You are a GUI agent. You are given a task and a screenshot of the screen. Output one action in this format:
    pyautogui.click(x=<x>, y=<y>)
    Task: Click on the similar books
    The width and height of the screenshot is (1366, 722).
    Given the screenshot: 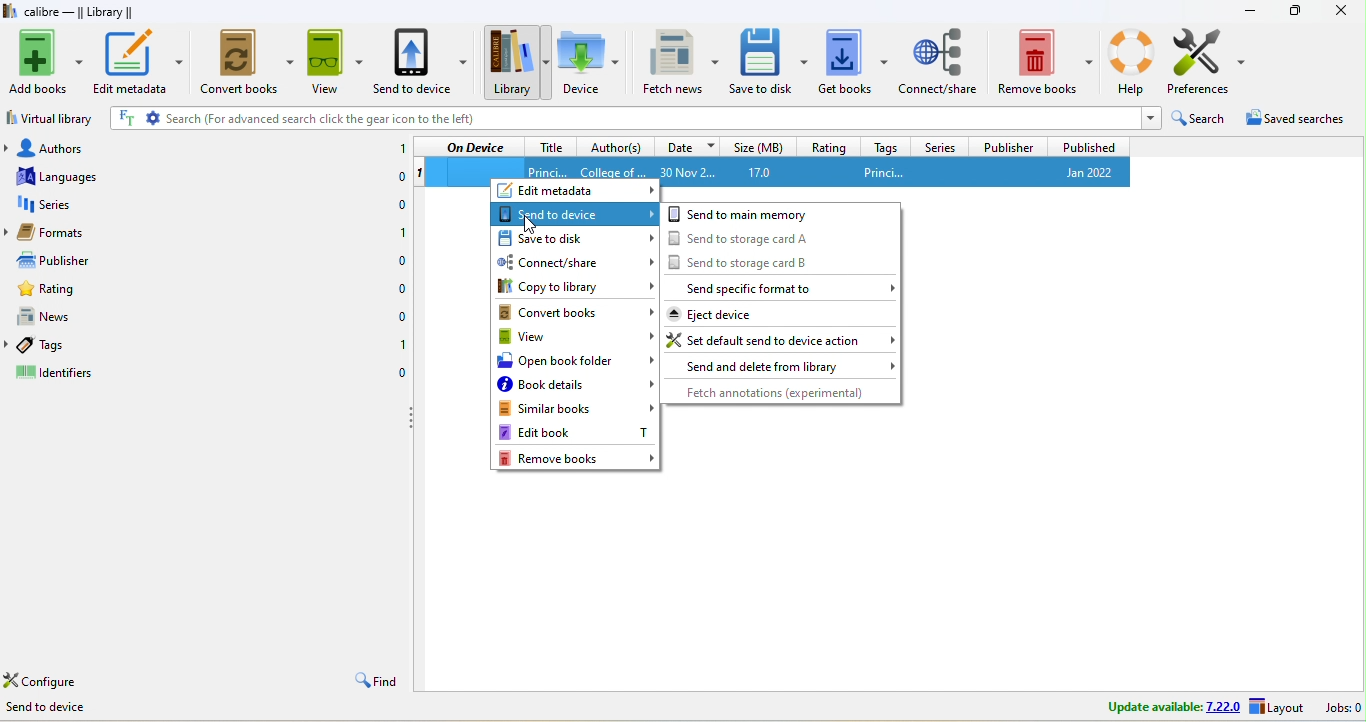 What is the action you would take?
    pyautogui.click(x=576, y=410)
    